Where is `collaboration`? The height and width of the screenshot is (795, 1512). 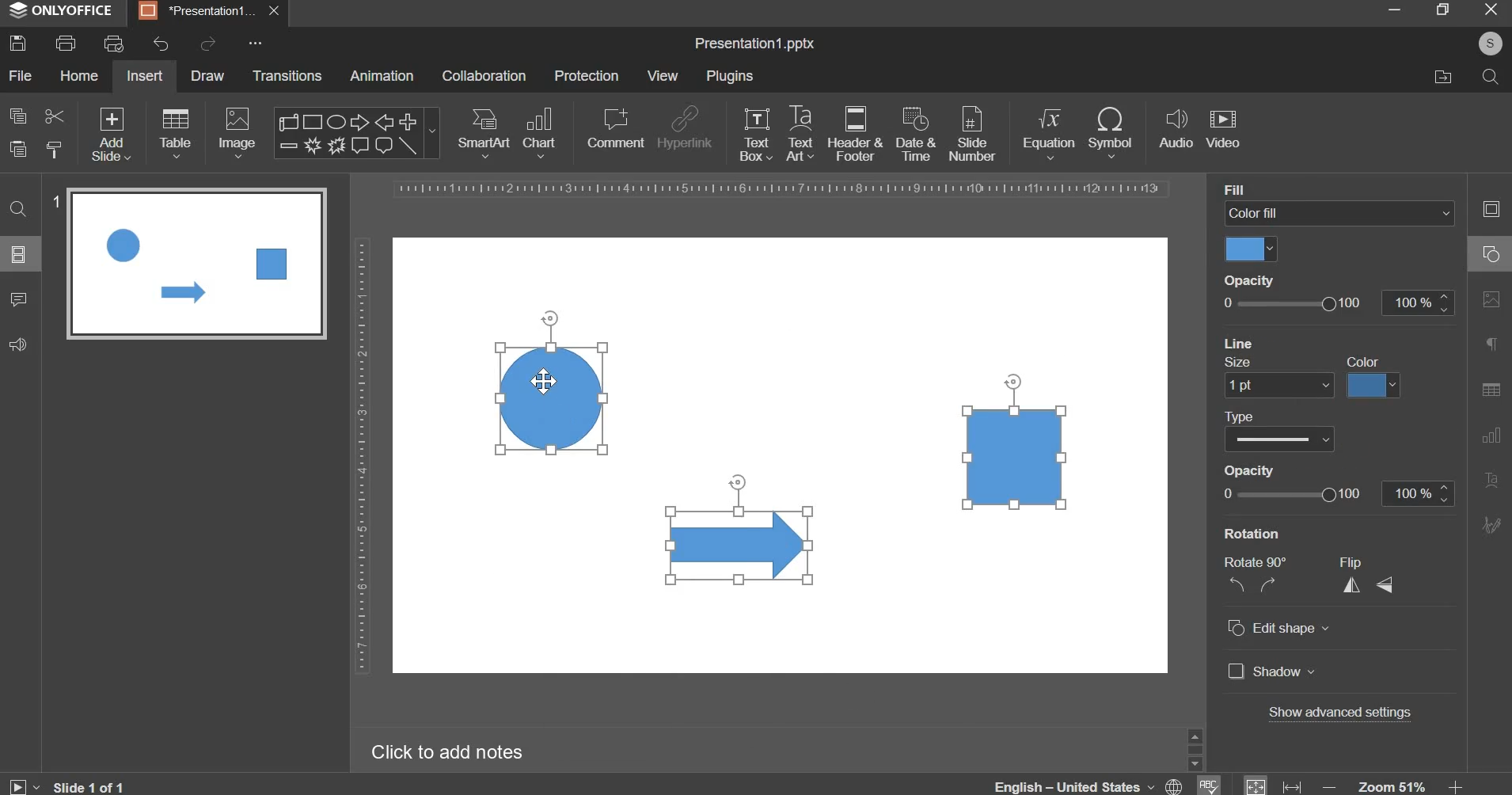
collaboration is located at coordinates (484, 76).